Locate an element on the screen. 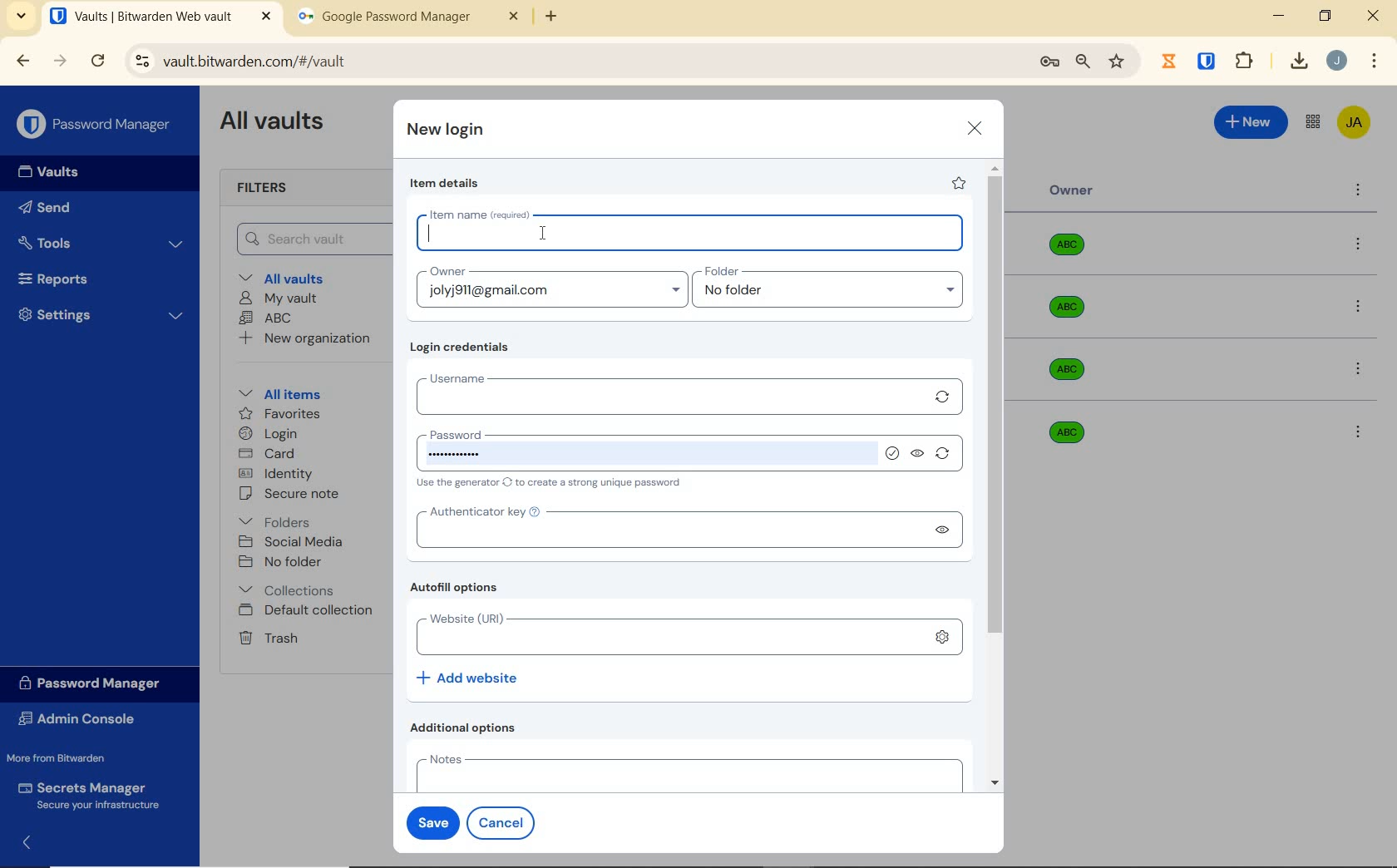 Image resolution: width=1397 pixels, height=868 pixels. bookmark is located at coordinates (1118, 61).